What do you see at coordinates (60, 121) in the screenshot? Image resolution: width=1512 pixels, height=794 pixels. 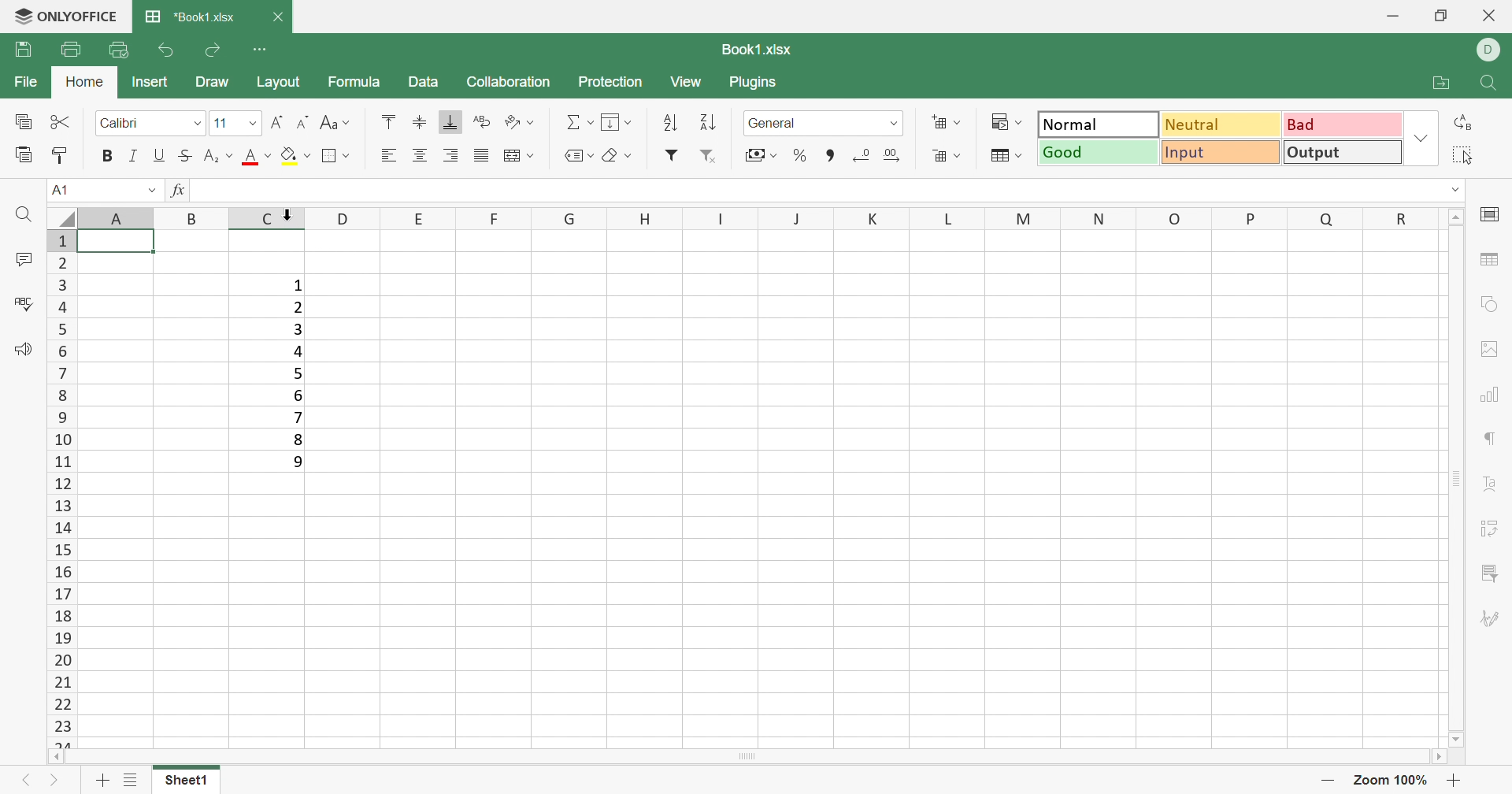 I see `Cut` at bounding box center [60, 121].